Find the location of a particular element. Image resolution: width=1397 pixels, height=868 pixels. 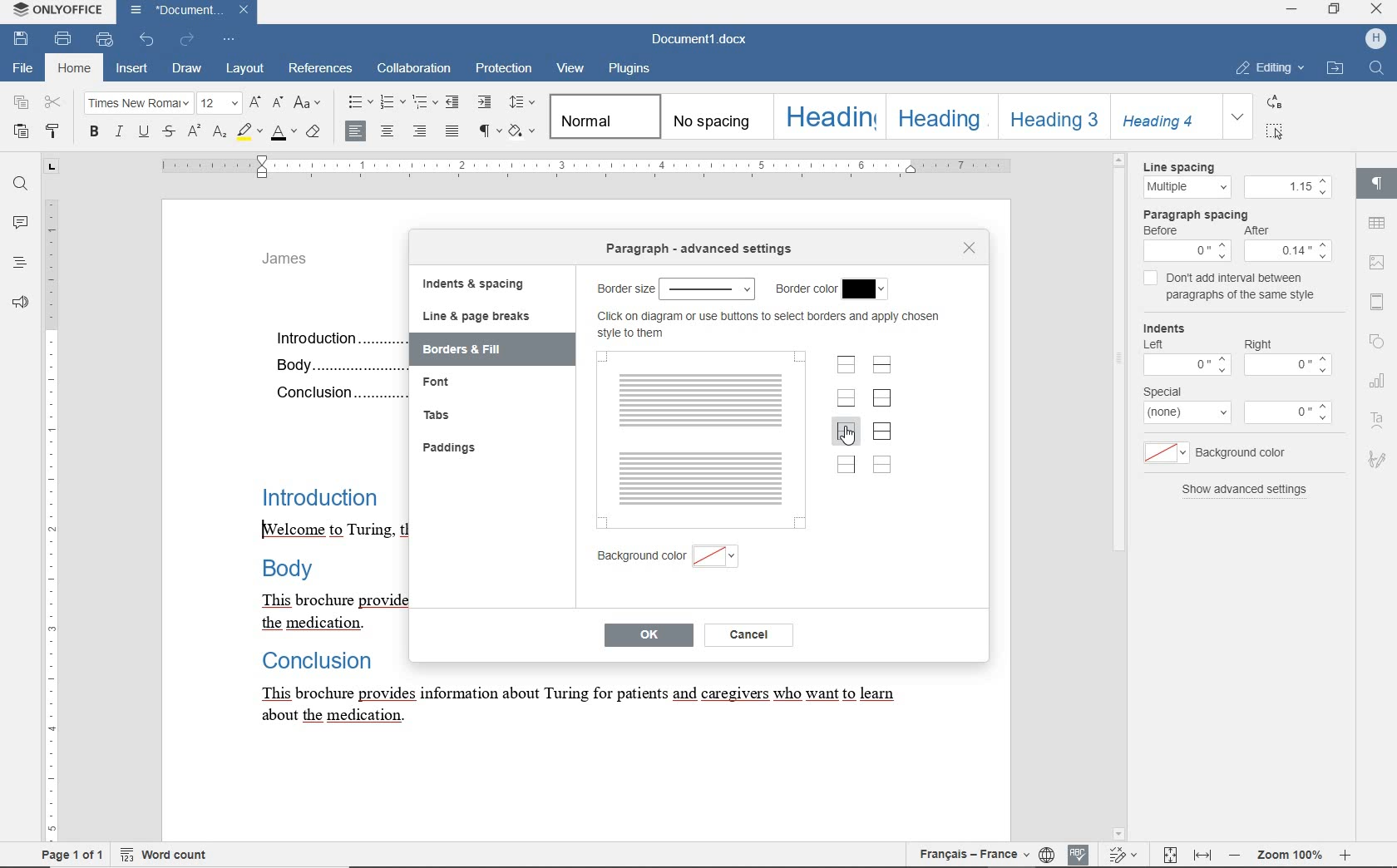

border color is located at coordinates (806, 289).